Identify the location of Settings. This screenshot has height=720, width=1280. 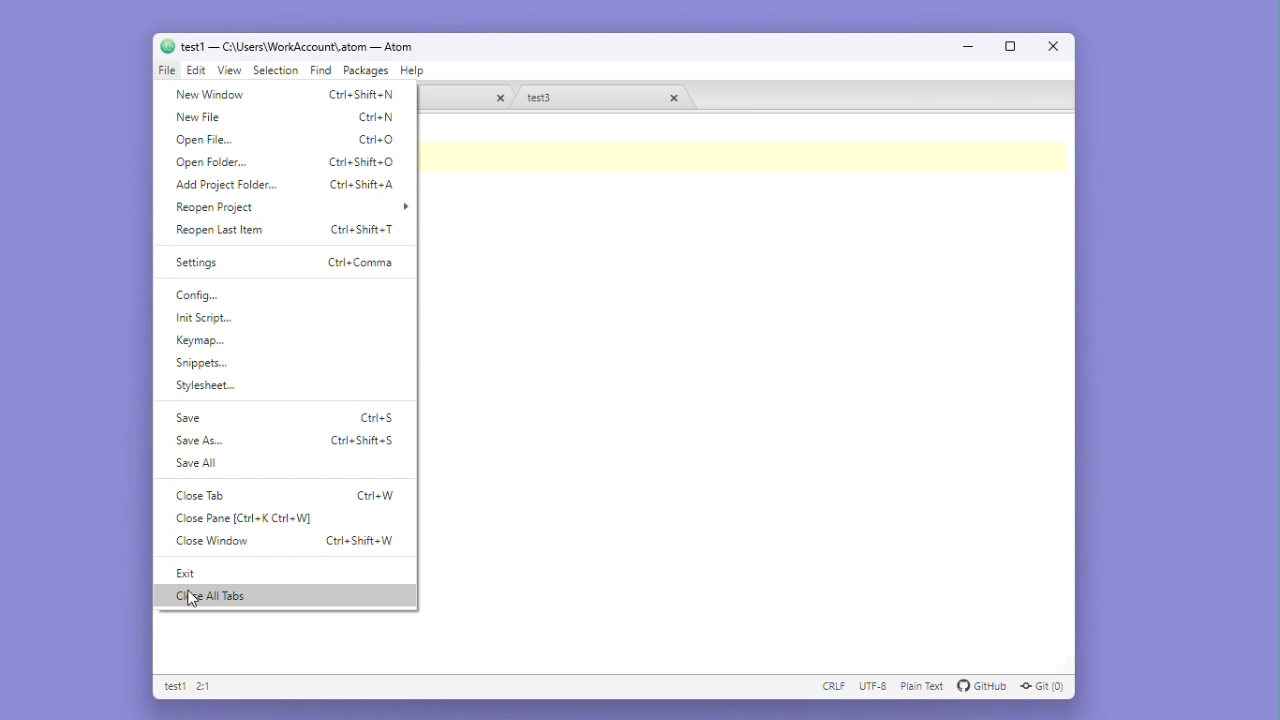
(201, 263).